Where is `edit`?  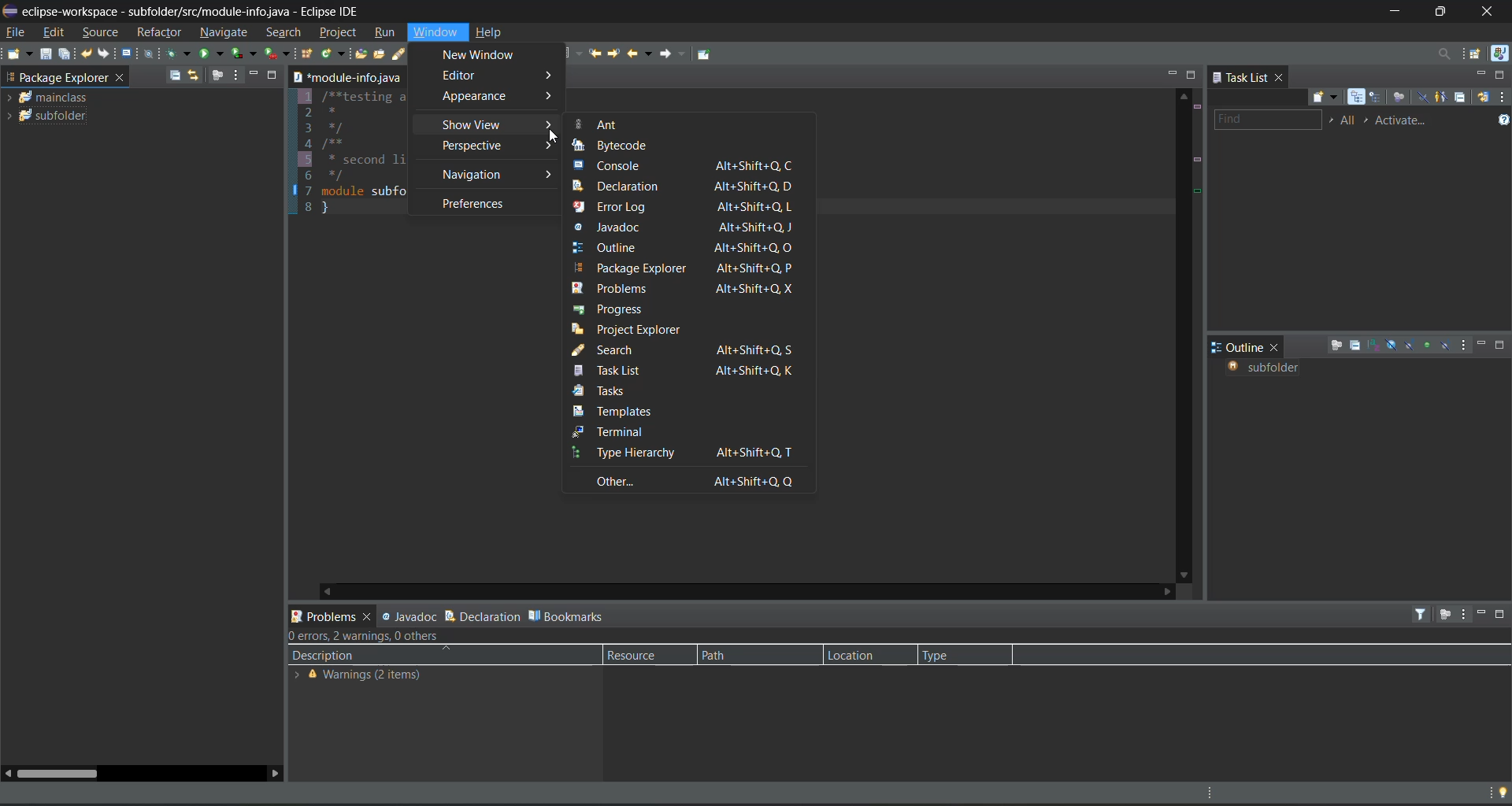 edit is located at coordinates (57, 33).